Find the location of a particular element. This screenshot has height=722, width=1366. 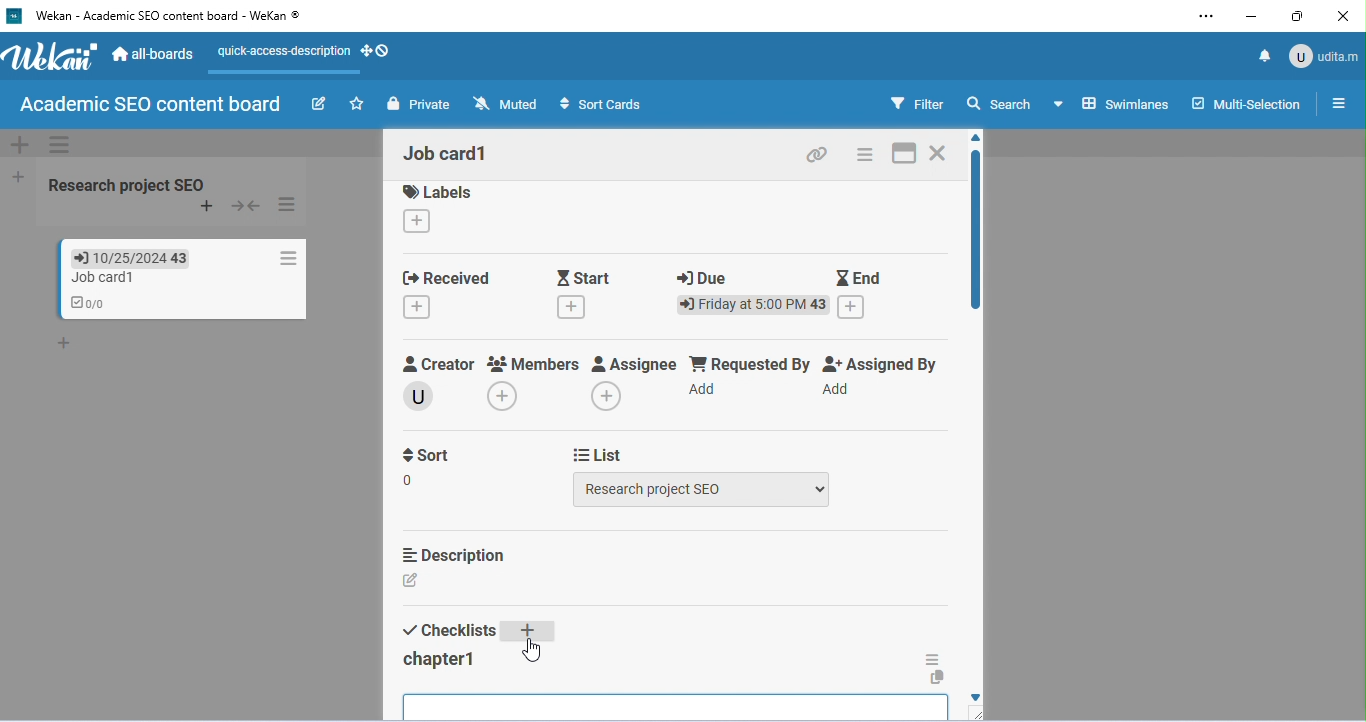

add card to top of list is located at coordinates (207, 207).